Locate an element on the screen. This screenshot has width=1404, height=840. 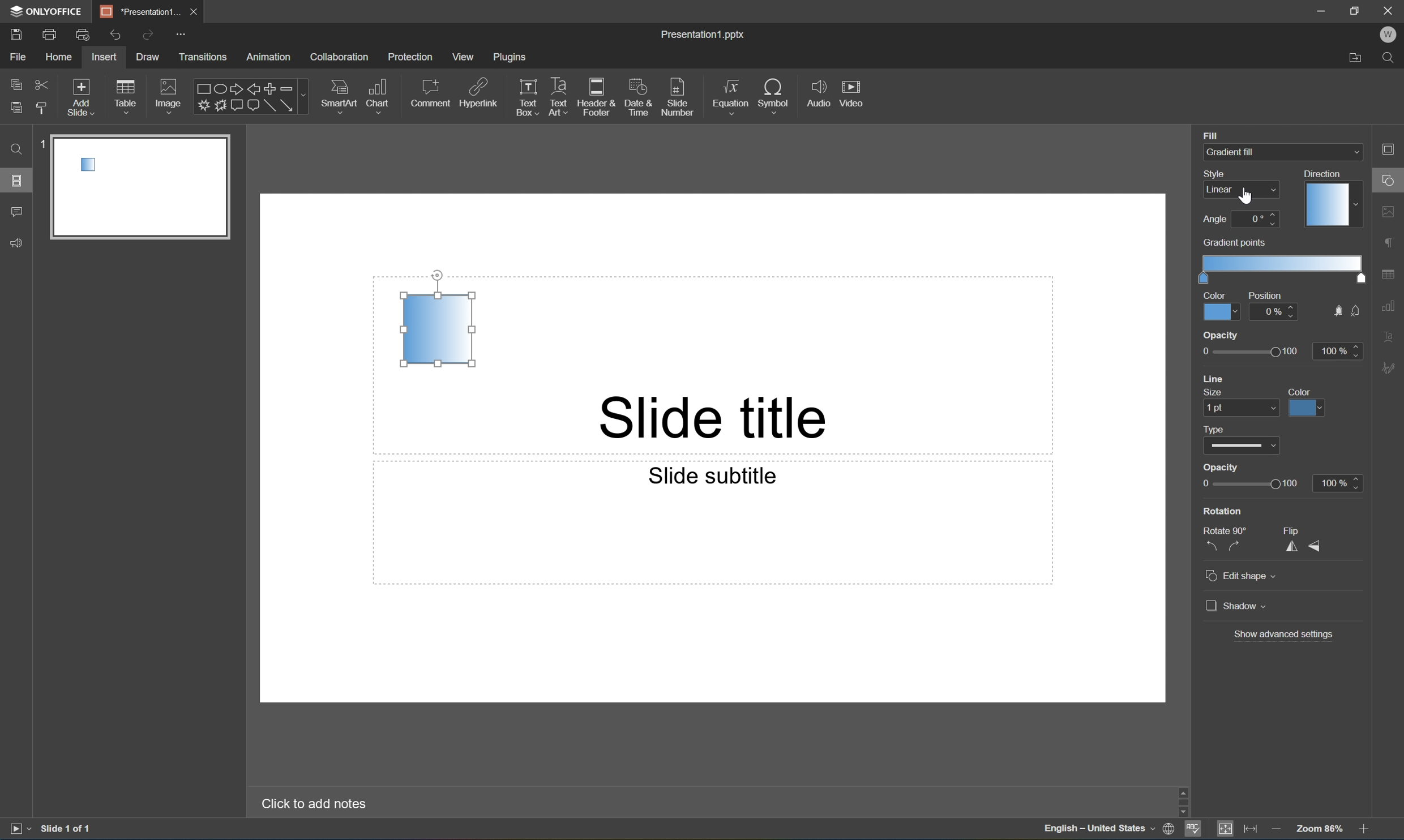
Arrow is located at coordinates (287, 105).